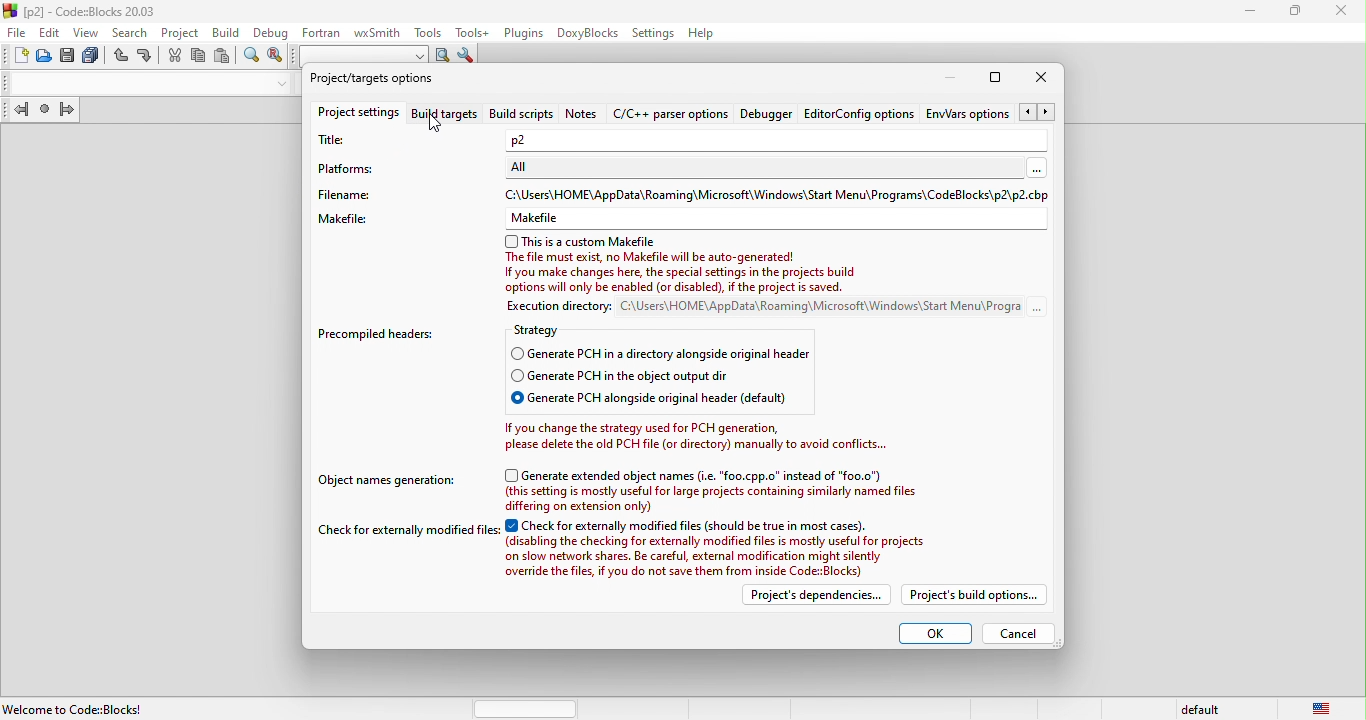 This screenshot has height=720, width=1366. Describe the element at coordinates (765, 116) in the screenshot. I see `debugger` at that location.